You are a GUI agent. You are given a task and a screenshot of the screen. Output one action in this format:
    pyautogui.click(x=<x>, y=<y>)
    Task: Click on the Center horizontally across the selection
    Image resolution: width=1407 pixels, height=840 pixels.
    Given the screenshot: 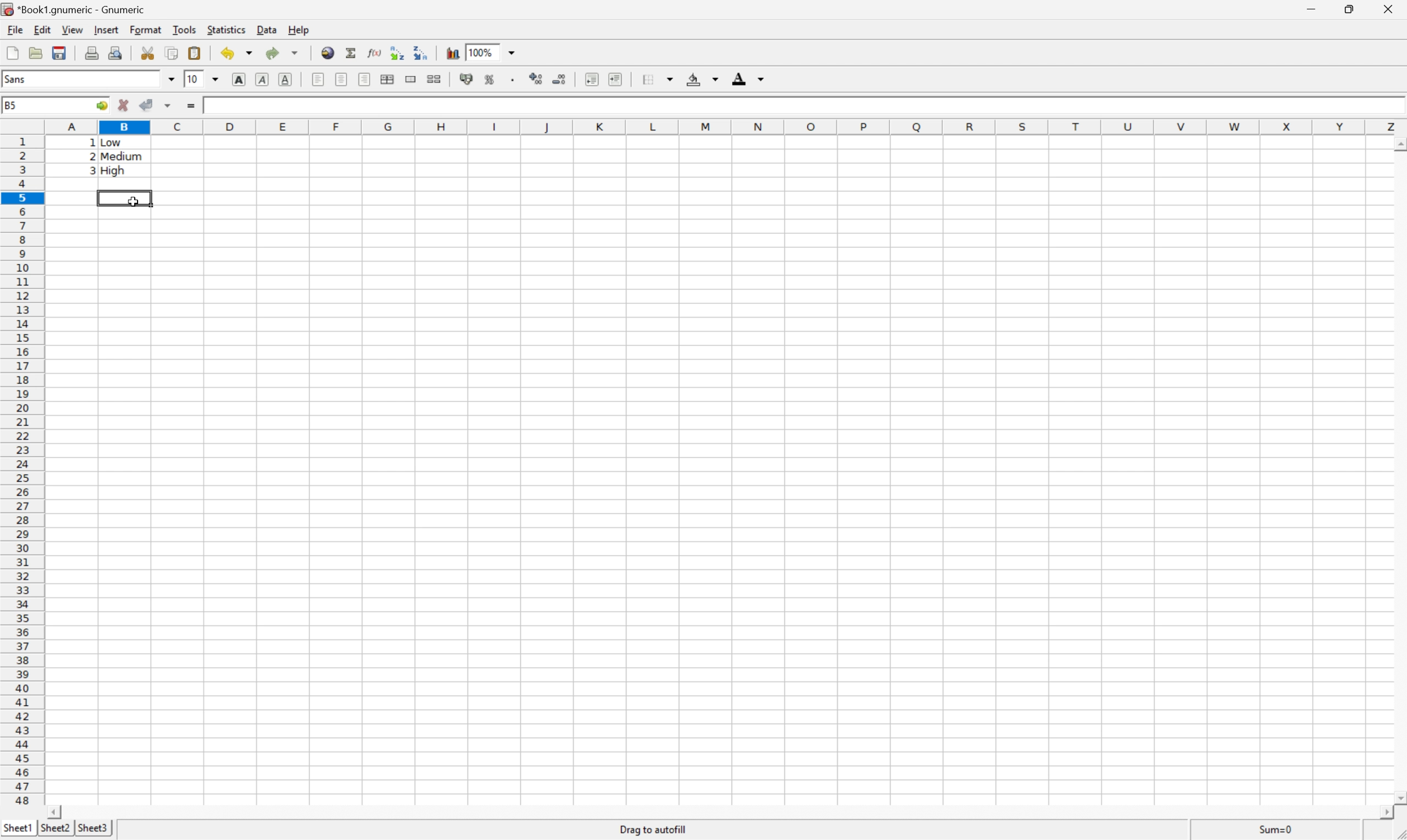 What is the action you would take?
    pyautogui.click(x=386, y=78)
    